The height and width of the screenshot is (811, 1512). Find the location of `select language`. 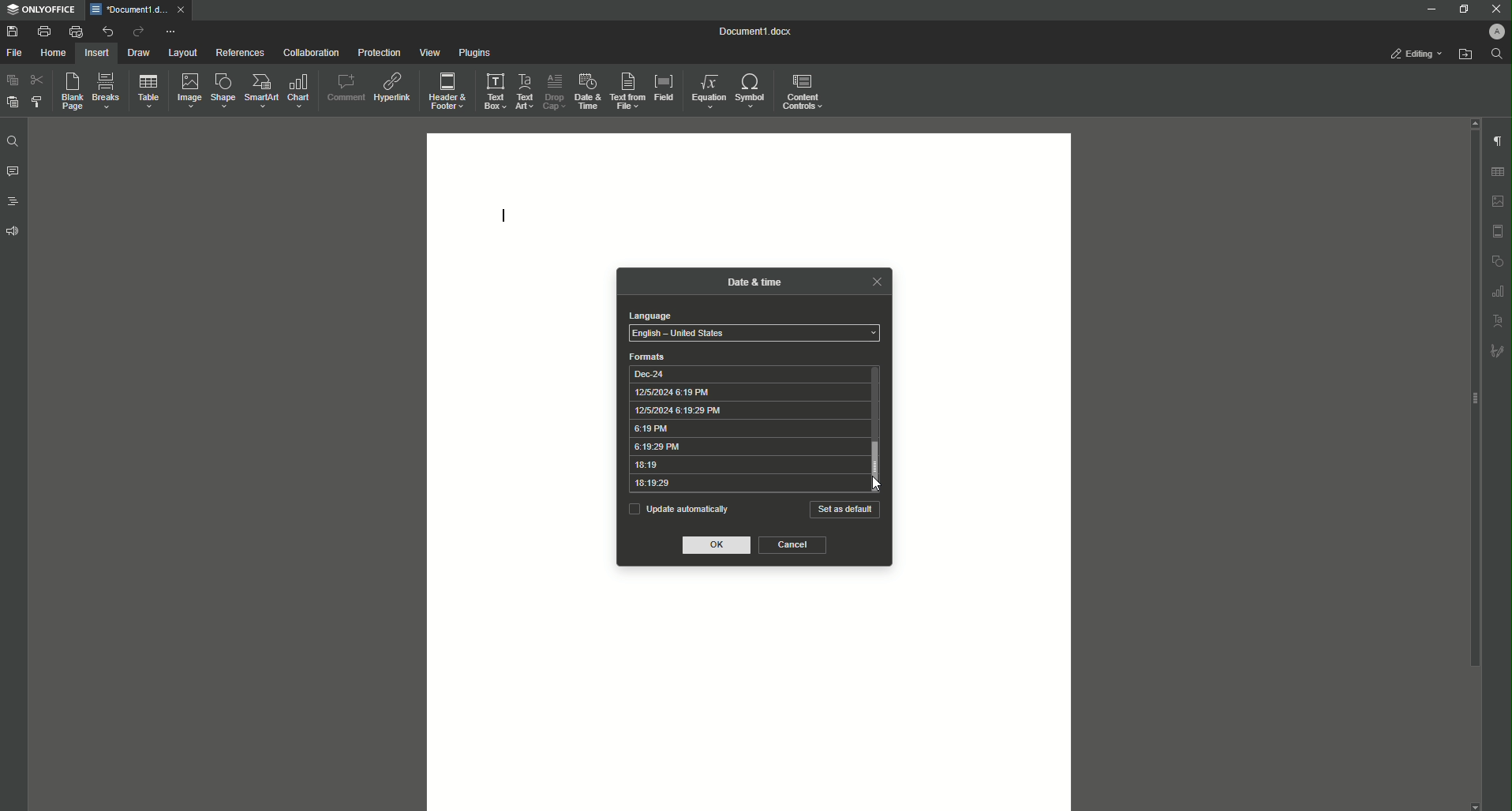

select language is located at coordinates (754, 334).